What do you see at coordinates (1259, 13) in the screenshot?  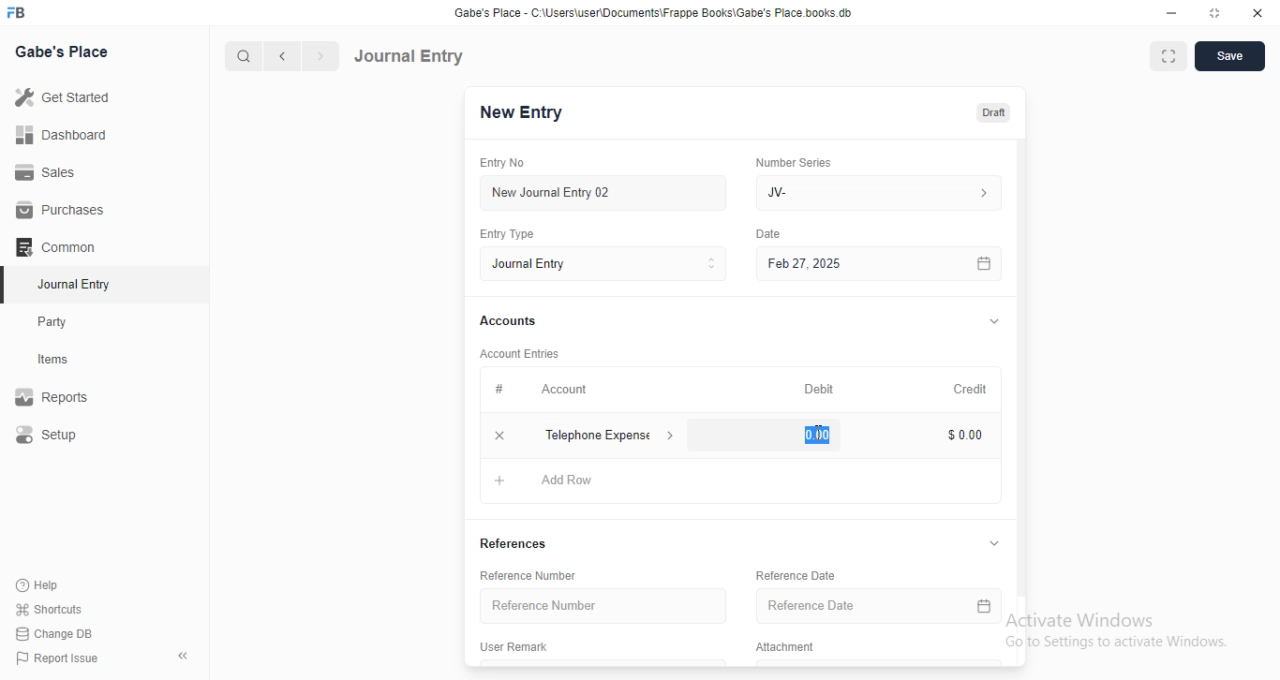 I see `Close` at bounding box center [1259, 13].